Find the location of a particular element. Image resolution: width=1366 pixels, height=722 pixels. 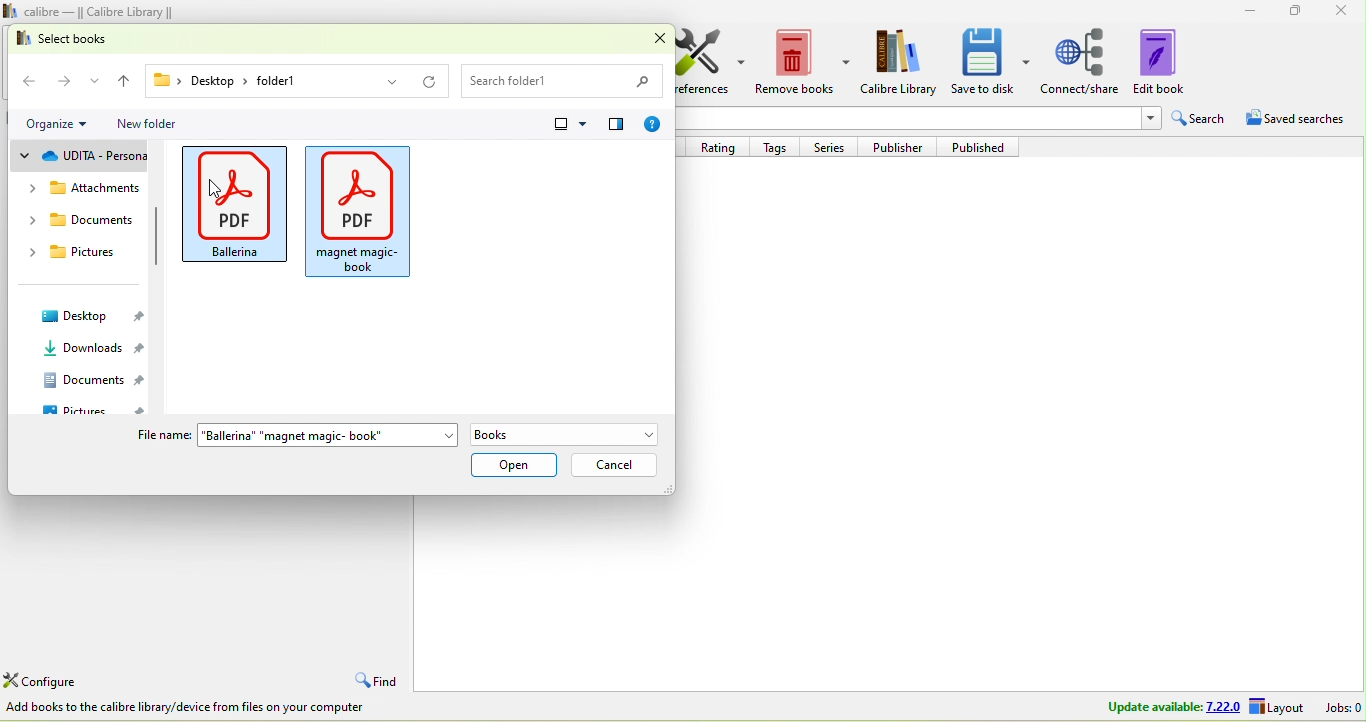

configure is located at coordinates (47, 681).